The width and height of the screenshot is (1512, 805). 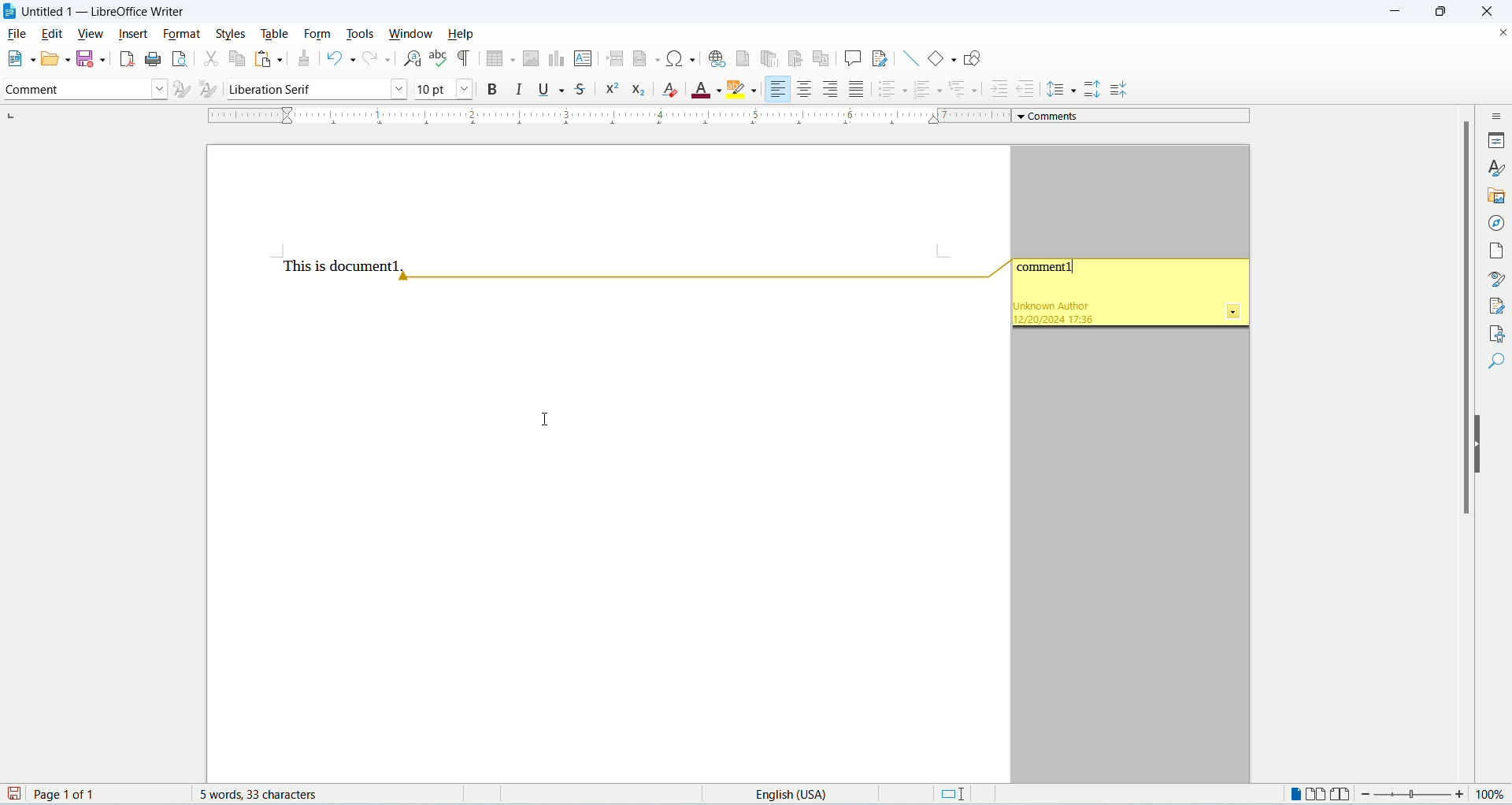 I want to click on find and replace, so click(x=410, y=59).